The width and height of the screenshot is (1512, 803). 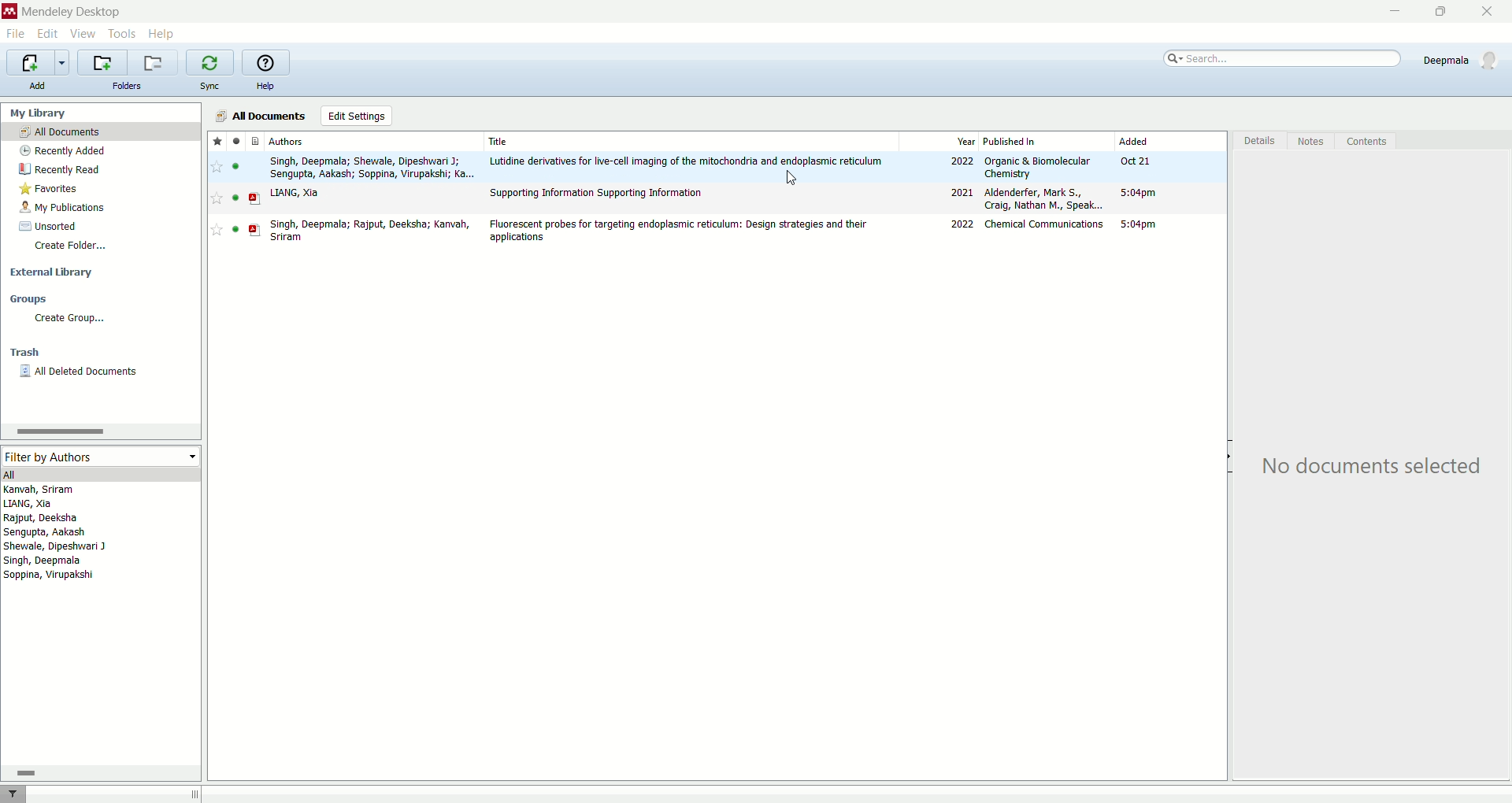 What do you see at coordinates (217, 198) in the screenshot?
I see `favorite` at bounding box center [217, 198].